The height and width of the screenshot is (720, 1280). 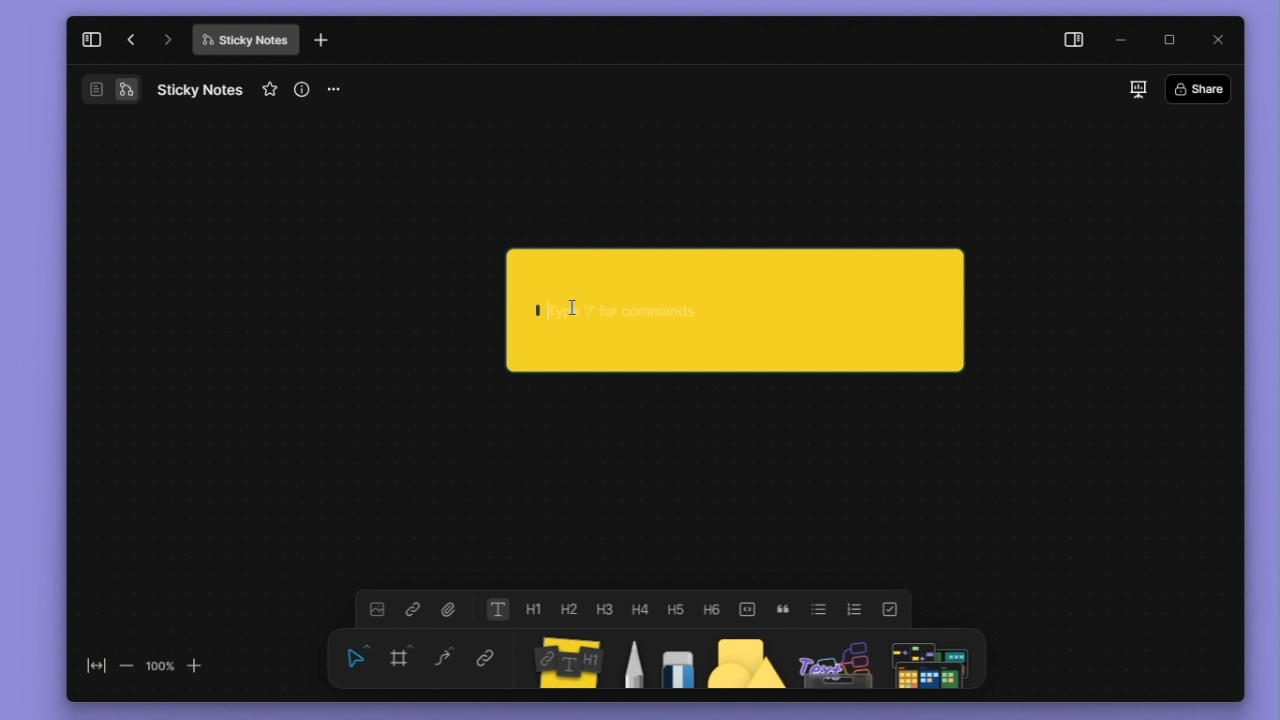 What do you see at coordinates (822, 611) in the screenshot?
I see `bullet list` at bounding box center [822, 611].